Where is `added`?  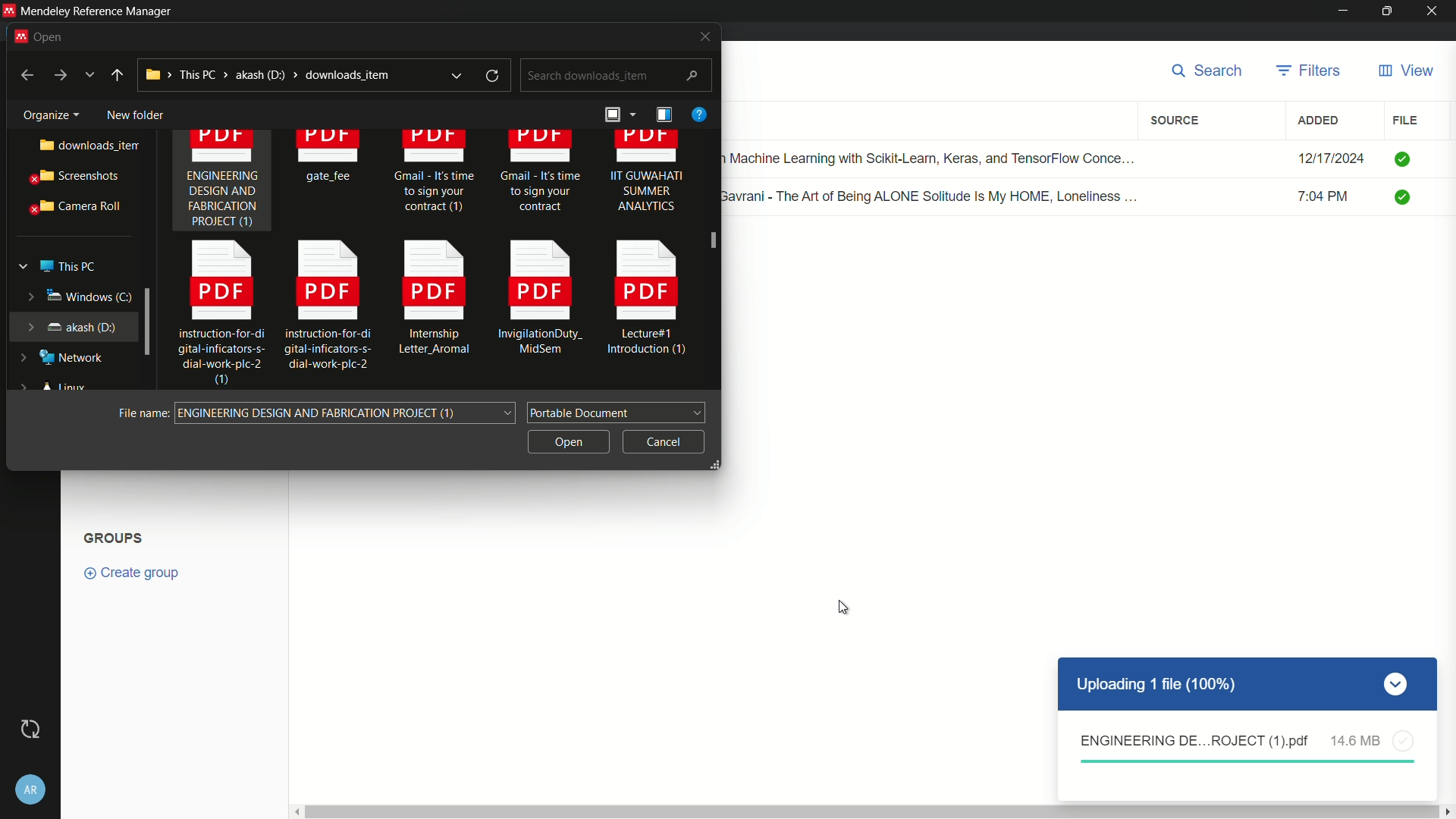 added is located at coordinates (1319, 121).